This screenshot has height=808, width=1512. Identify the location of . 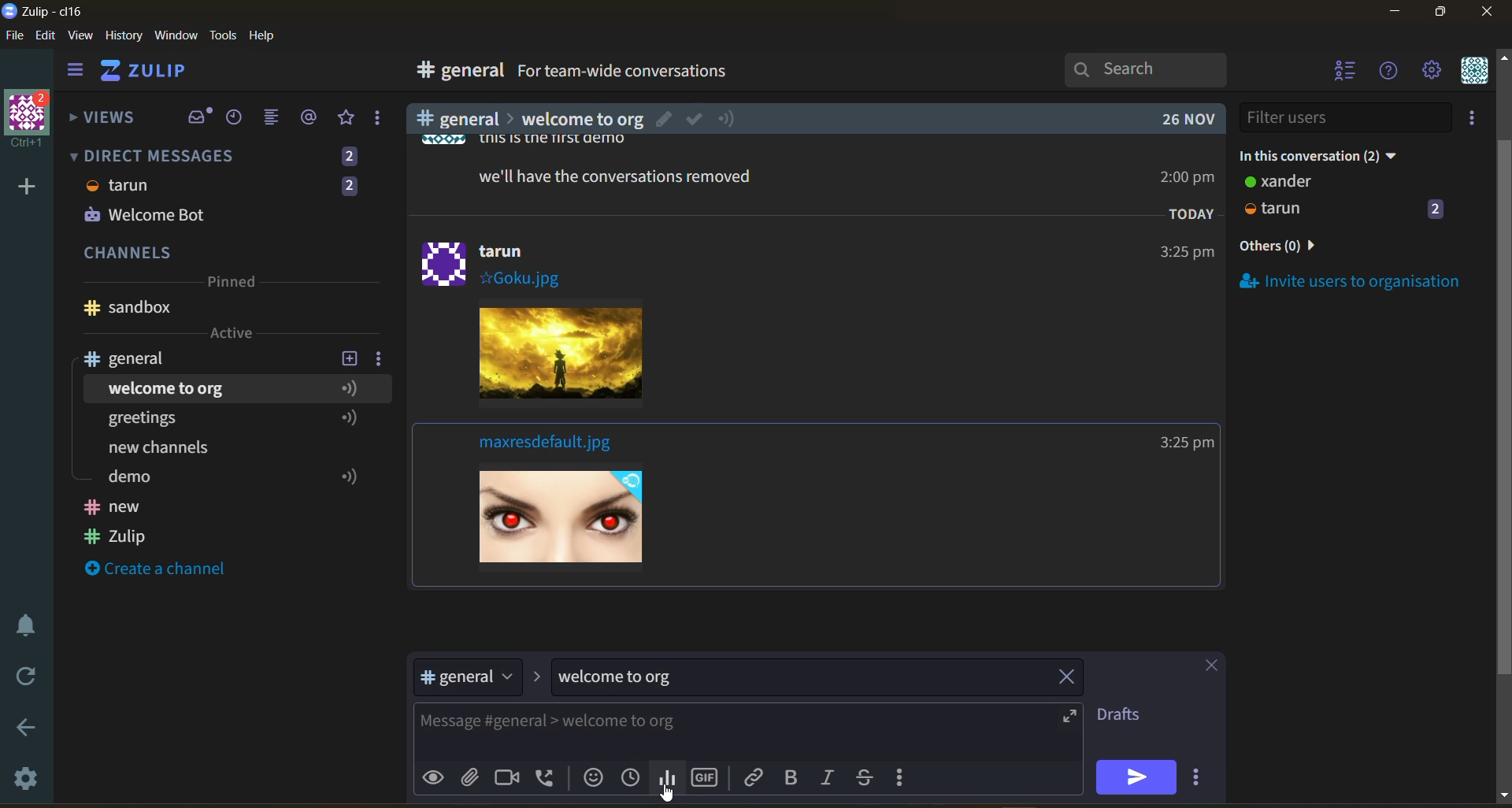
(1184, 444).